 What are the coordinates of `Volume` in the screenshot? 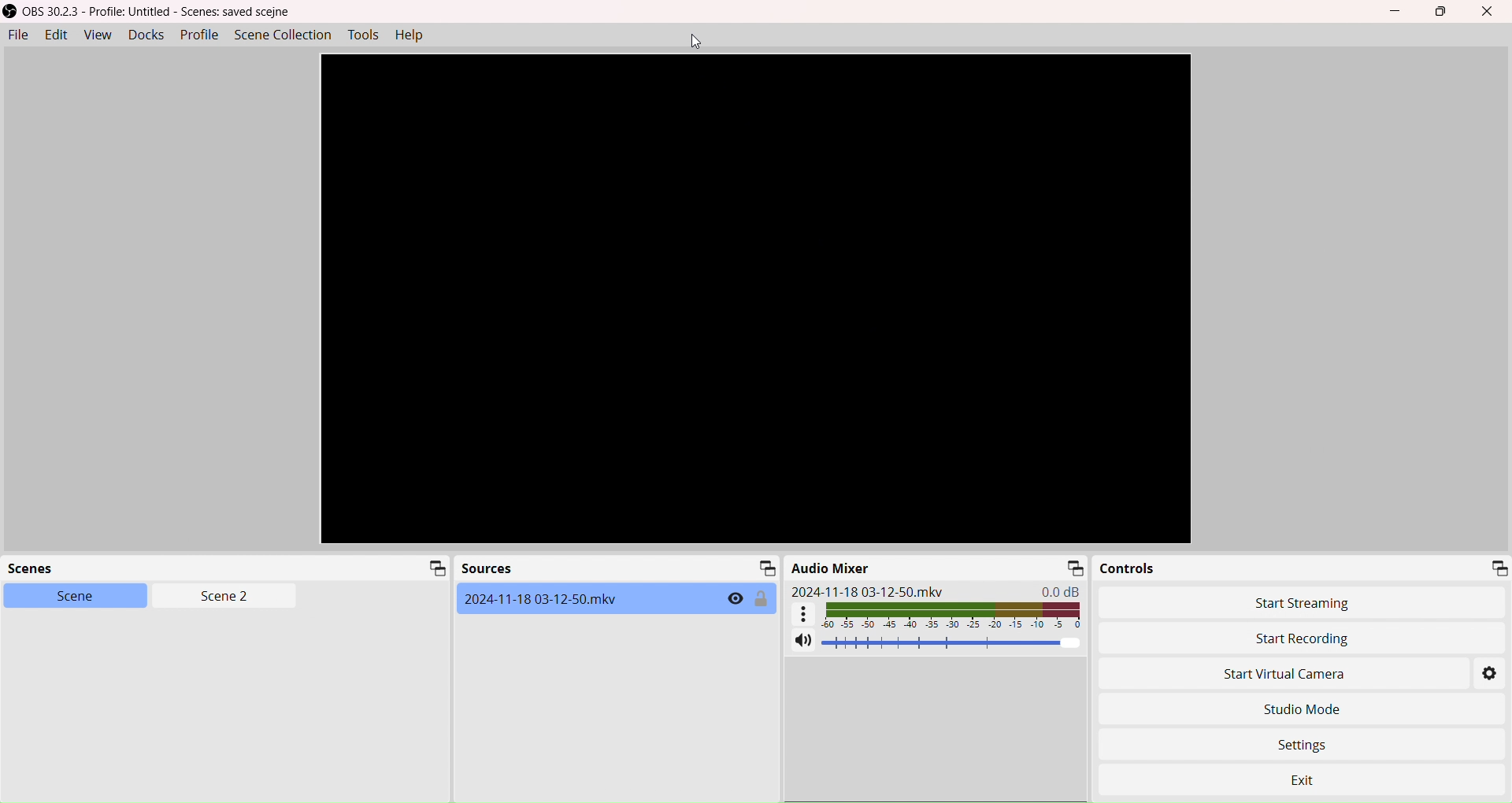 It's located at (953, 643).